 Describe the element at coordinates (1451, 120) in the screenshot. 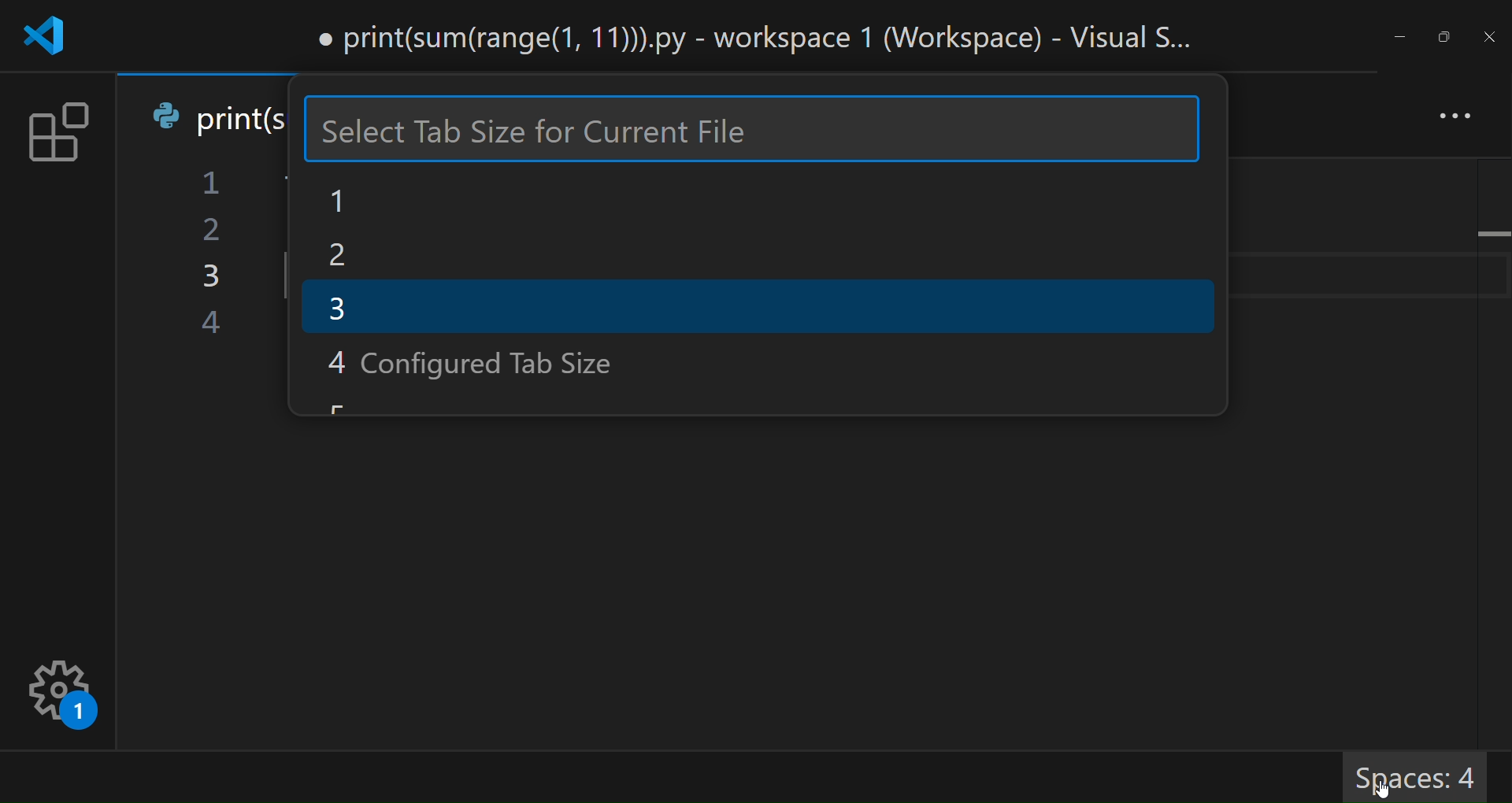

I see `more` at that location.